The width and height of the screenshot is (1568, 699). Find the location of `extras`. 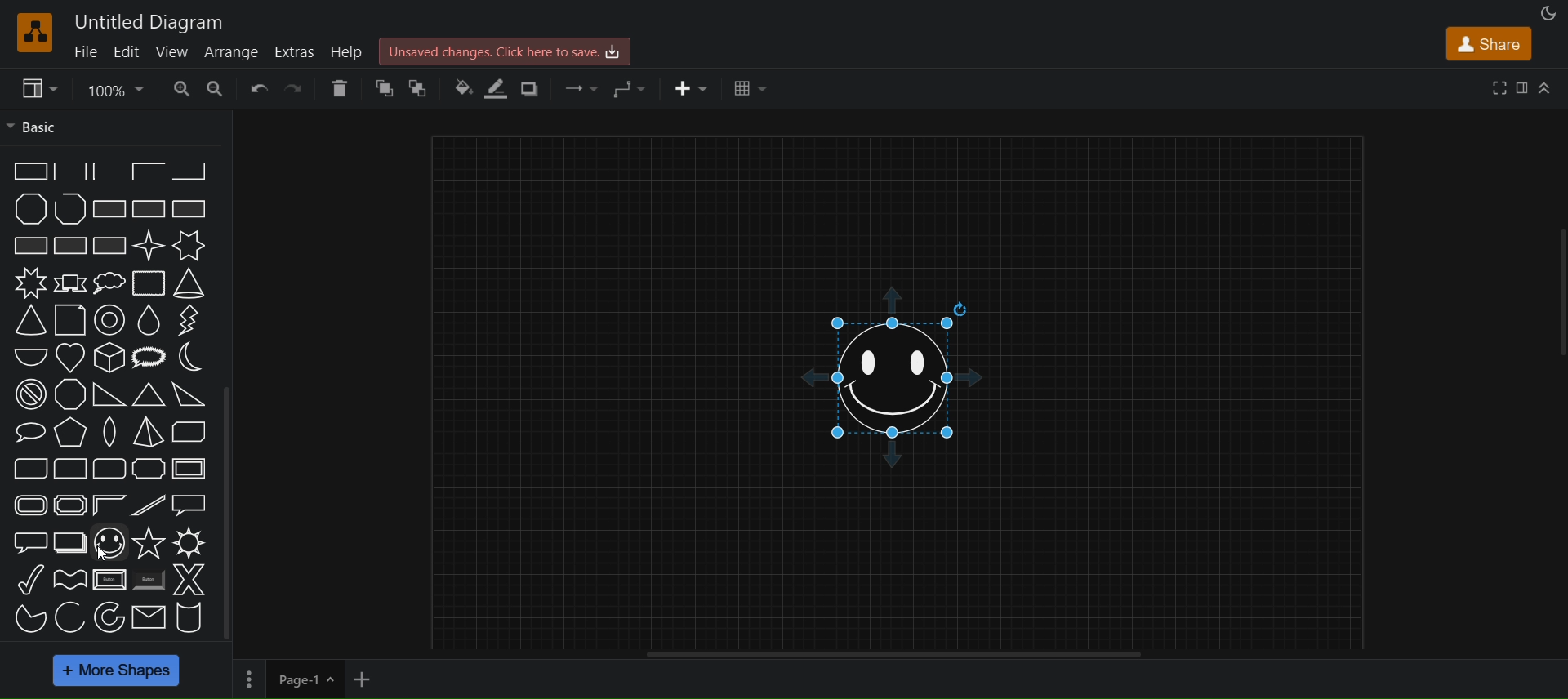

extras is located at coordinates (296, 51).